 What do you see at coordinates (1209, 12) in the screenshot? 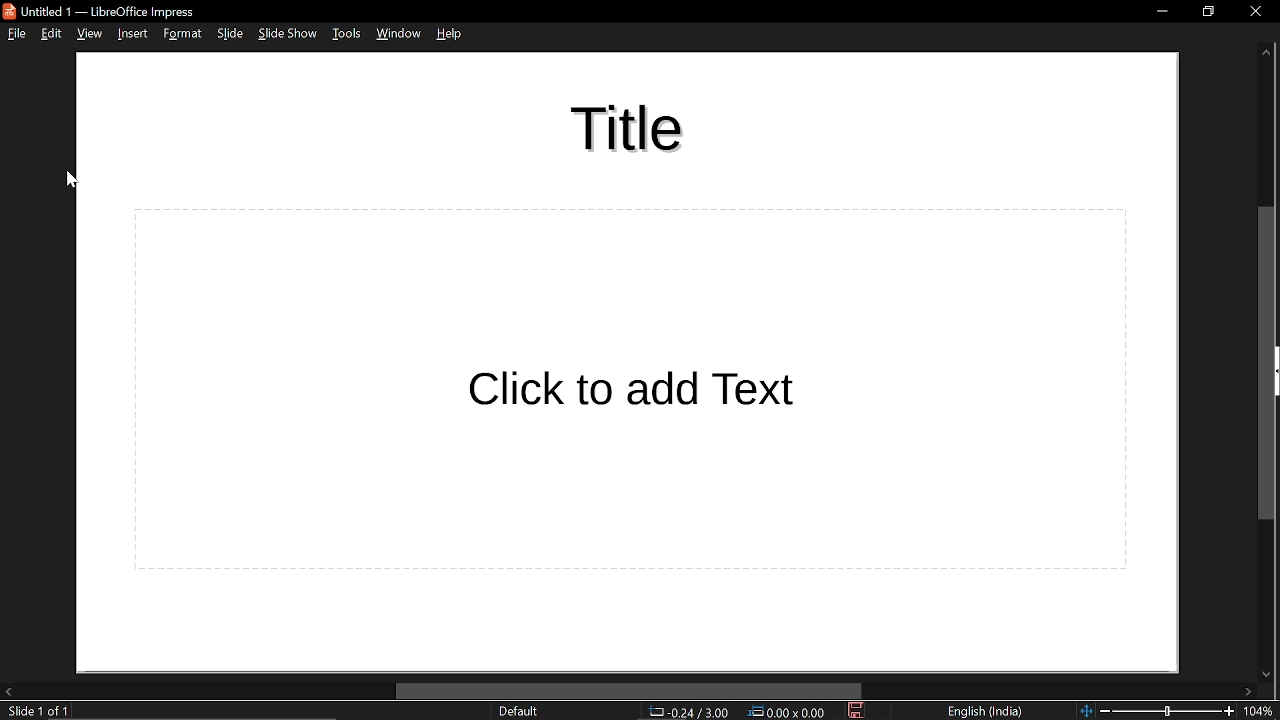
I see `restore down` at bounding box center [1209, 12].